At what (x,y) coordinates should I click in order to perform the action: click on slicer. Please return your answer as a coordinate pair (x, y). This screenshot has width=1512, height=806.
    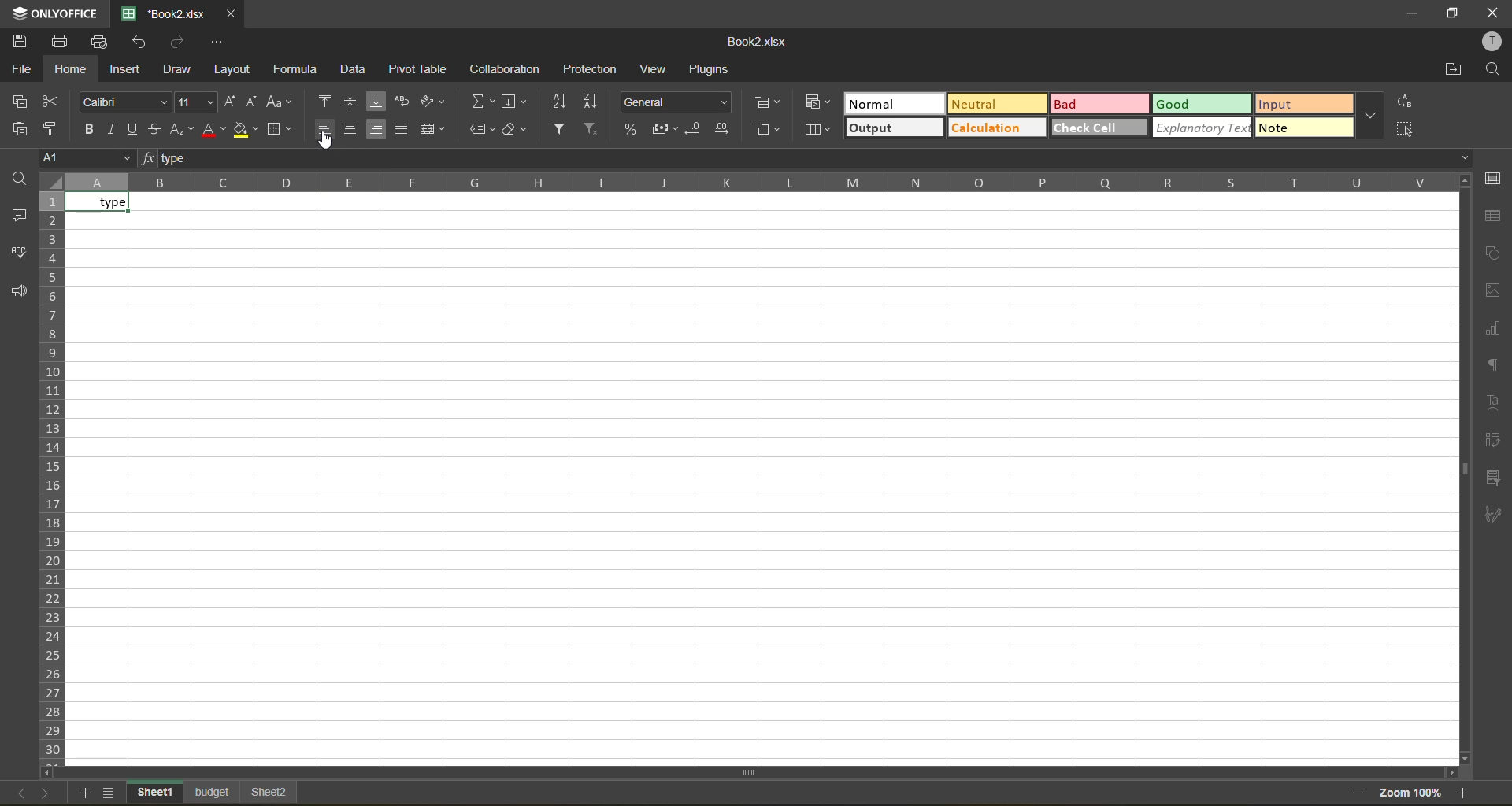
    Looking at the image, I should click on (1494, 476).